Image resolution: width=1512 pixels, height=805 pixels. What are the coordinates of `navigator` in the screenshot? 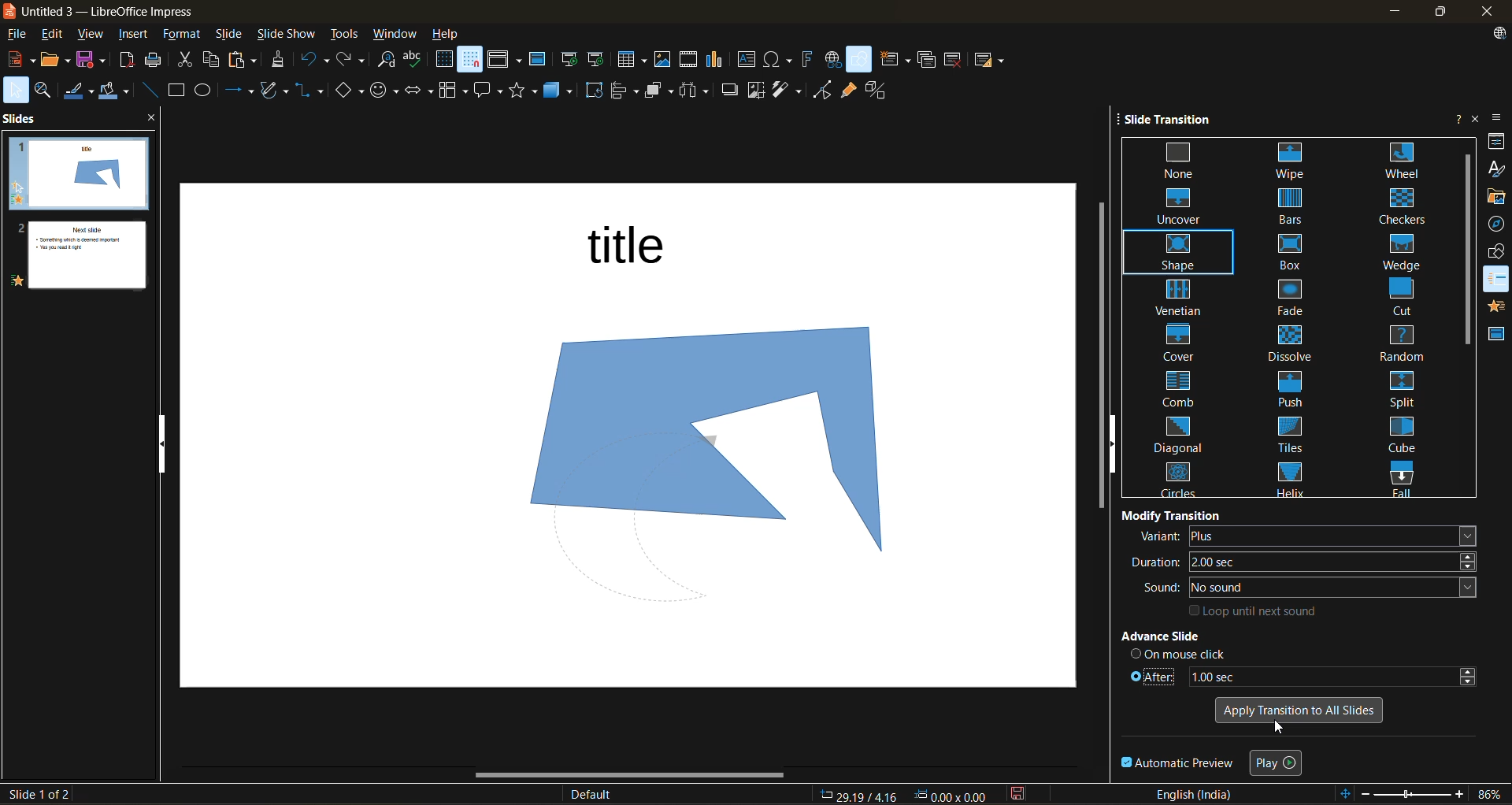 It's located at (1496, 225).